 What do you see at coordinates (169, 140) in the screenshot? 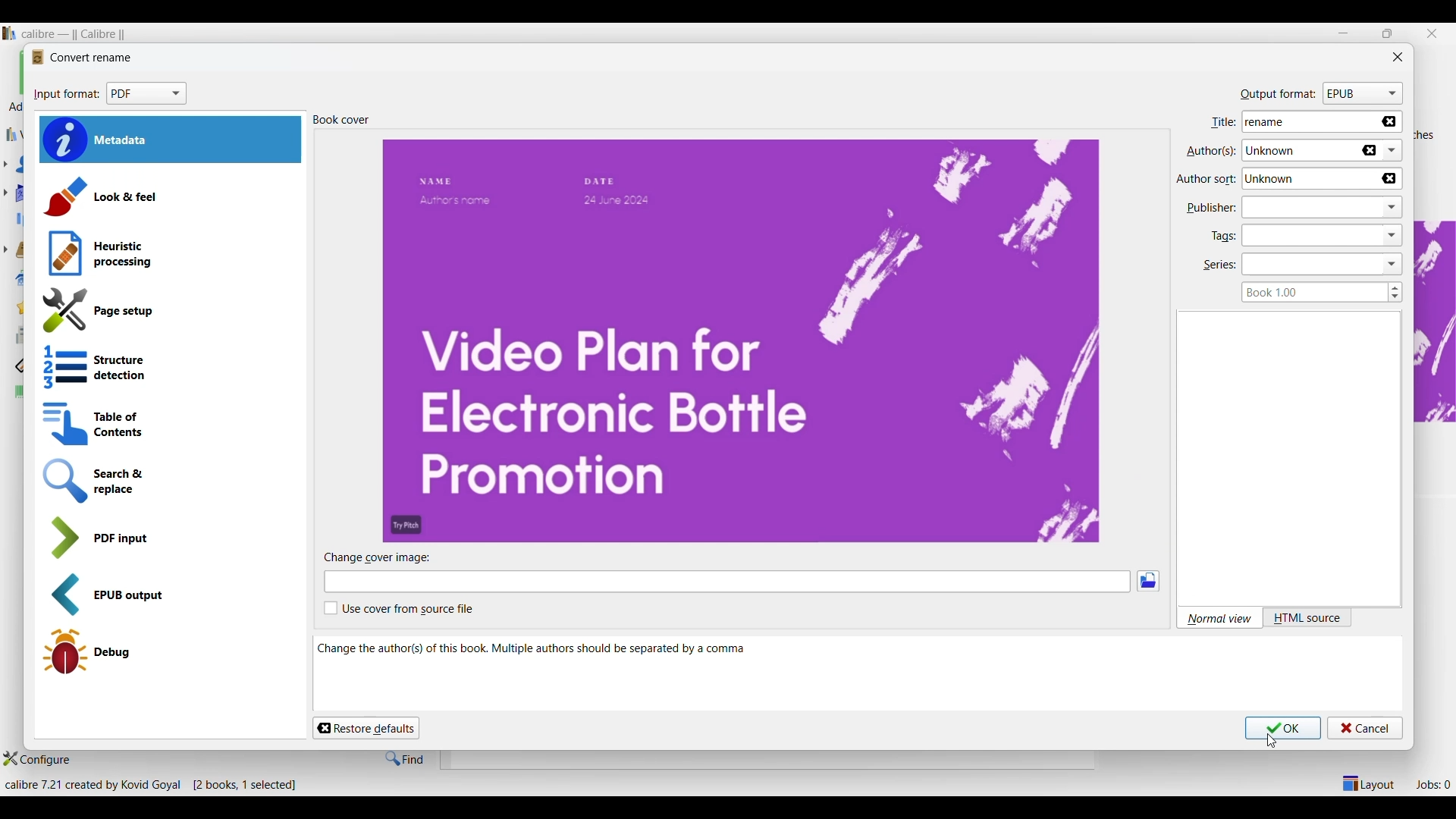
I see `Metadata` at bounding box center [169, 140].